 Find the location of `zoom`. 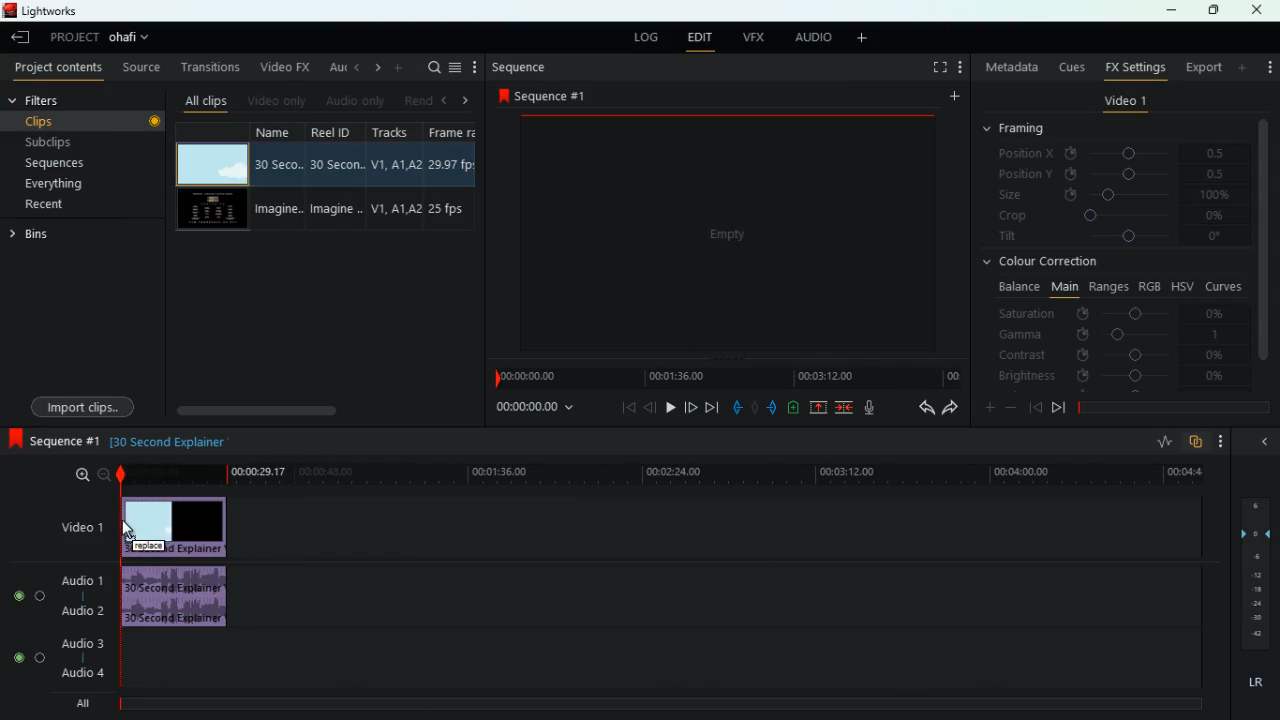

zoom is located at coordinates (90, 475).